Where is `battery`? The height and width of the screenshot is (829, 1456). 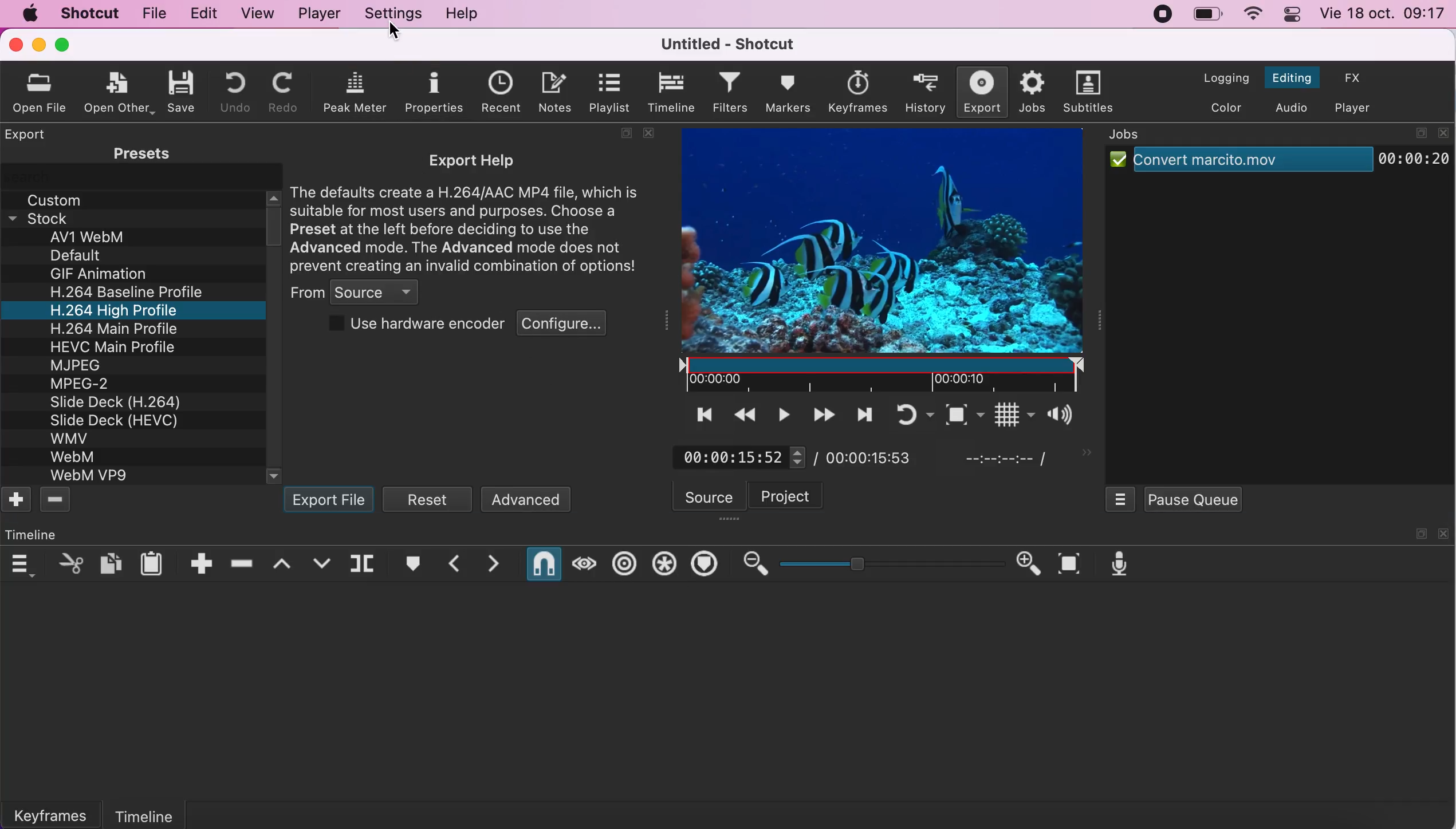 battery is located at coordinates (1207, 15).